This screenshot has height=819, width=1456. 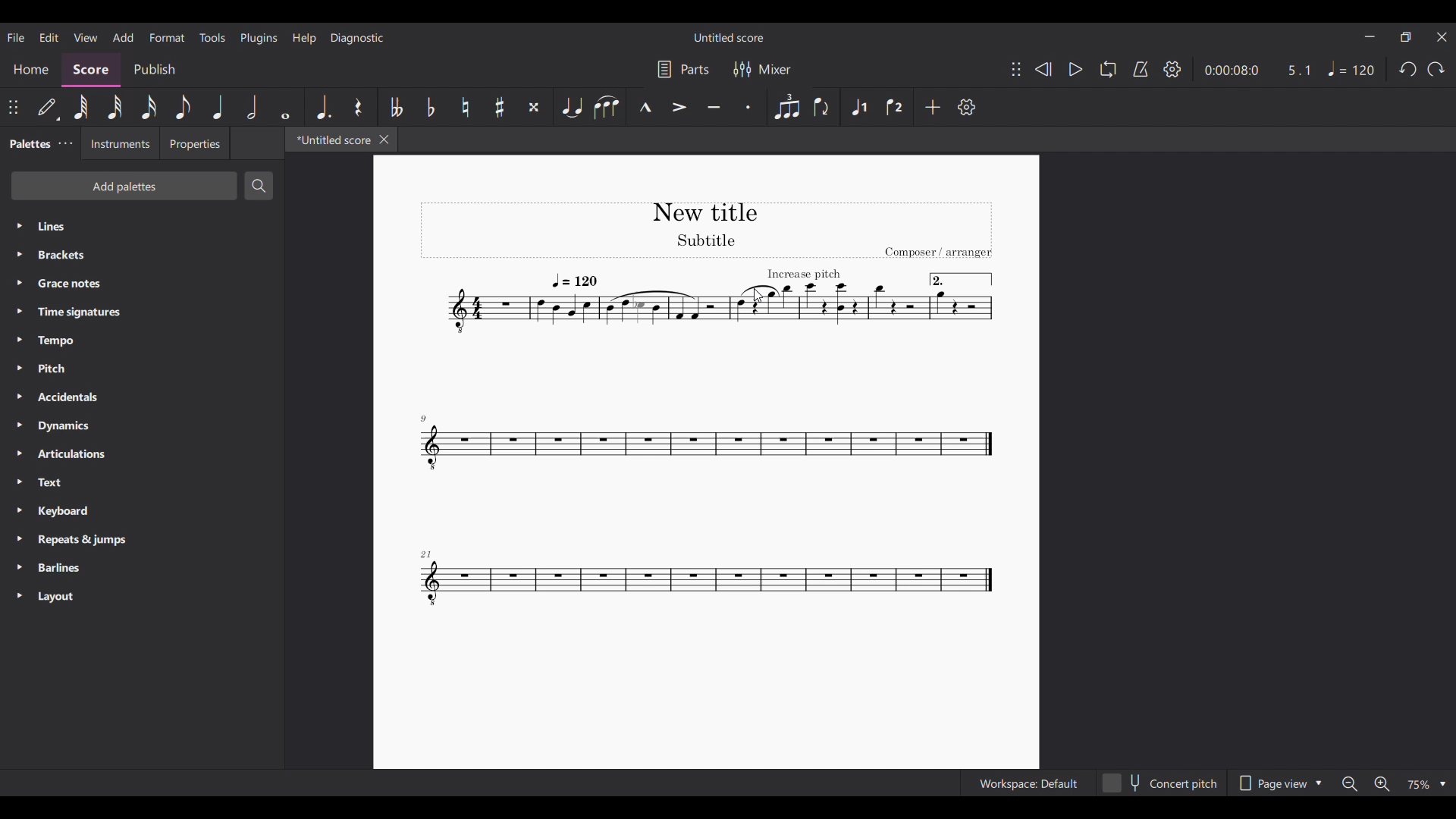 I want to click on Undo, so click(x=1407, y=69).